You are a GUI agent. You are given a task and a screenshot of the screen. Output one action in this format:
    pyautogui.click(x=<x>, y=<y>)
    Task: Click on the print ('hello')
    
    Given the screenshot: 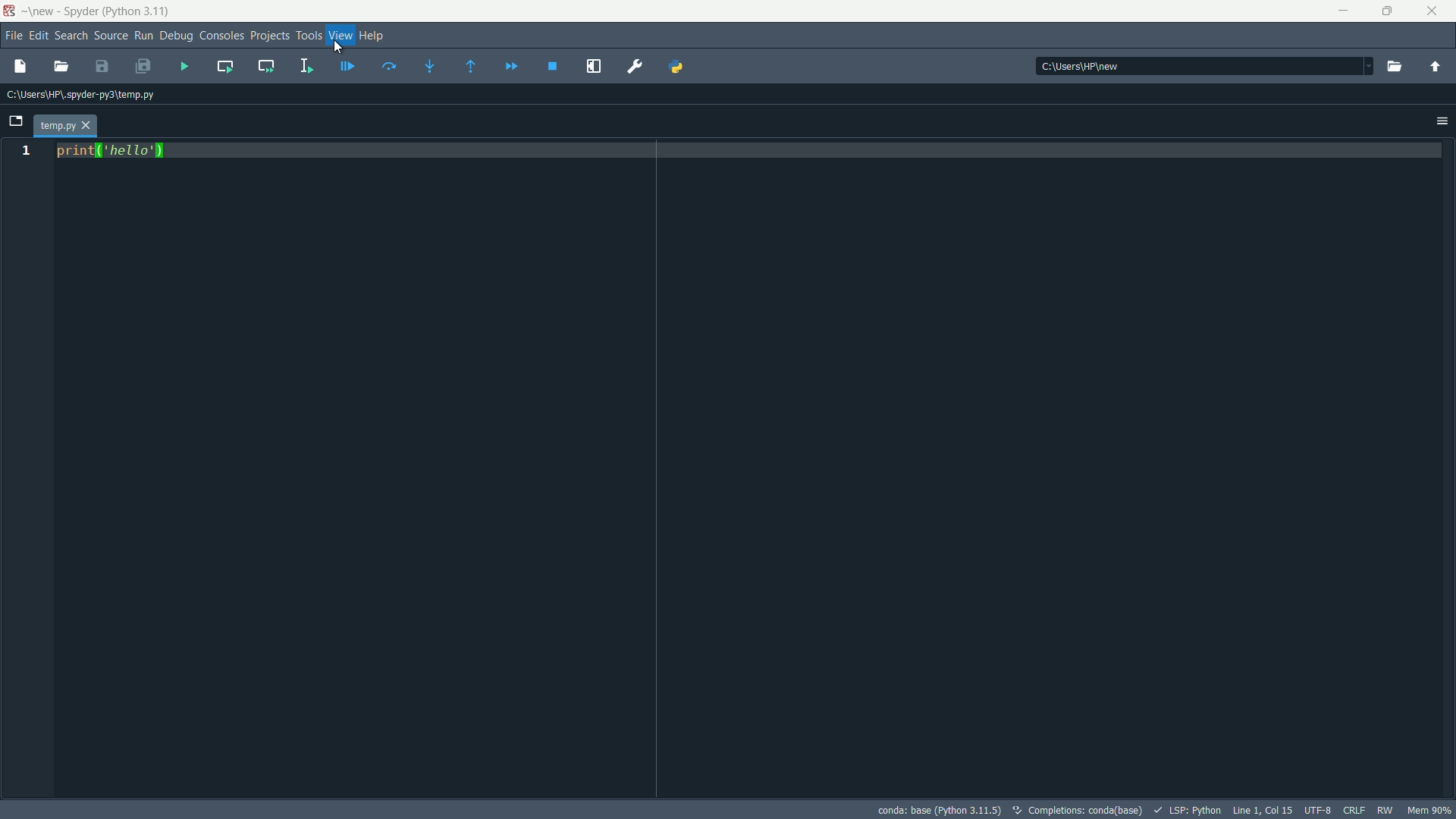 What is the action you would take?
    pyautogui.click(x=115, y=151)
    